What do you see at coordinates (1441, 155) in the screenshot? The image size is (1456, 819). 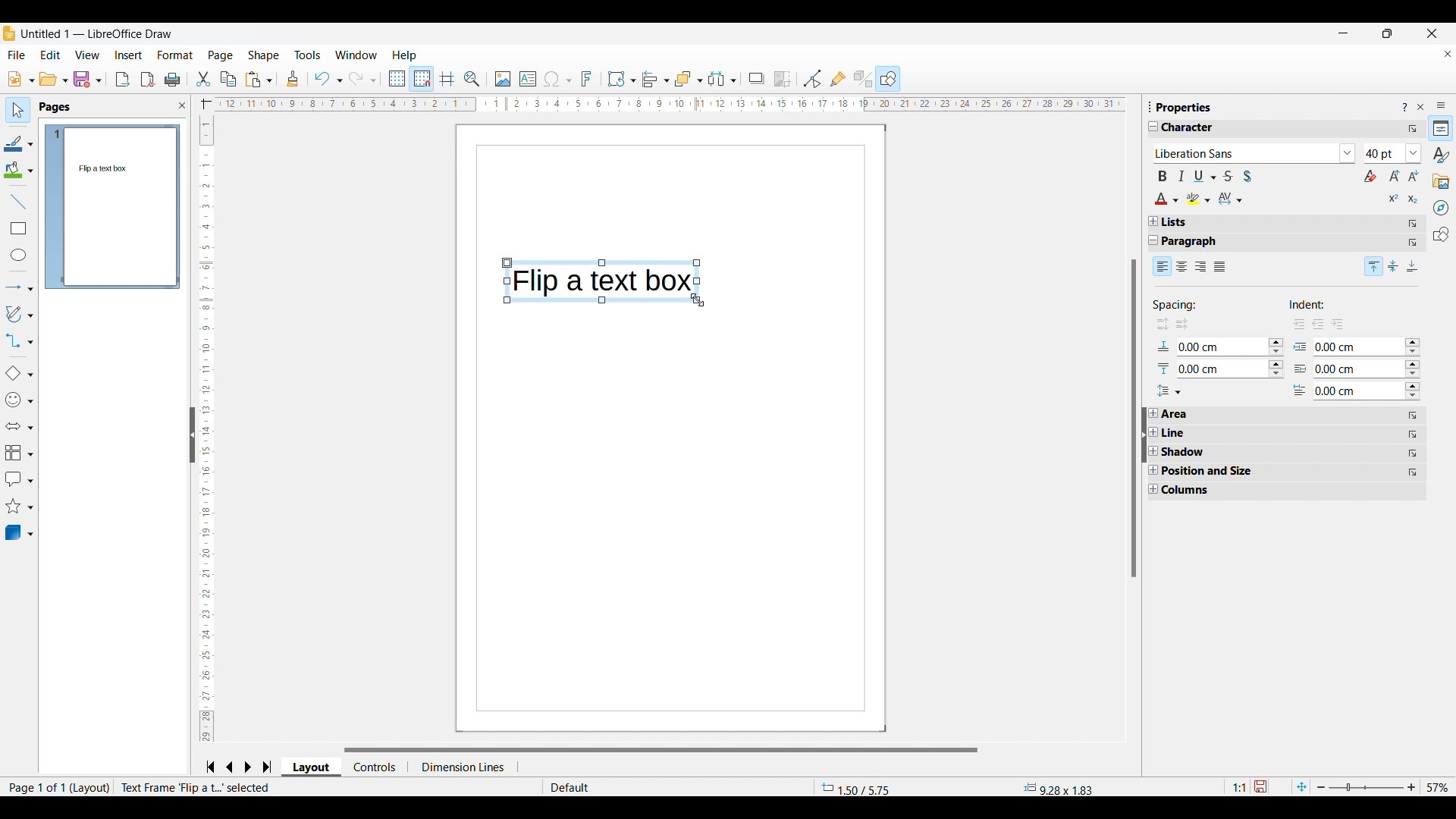 I see `Styles` at bounding box center [1441, 155].